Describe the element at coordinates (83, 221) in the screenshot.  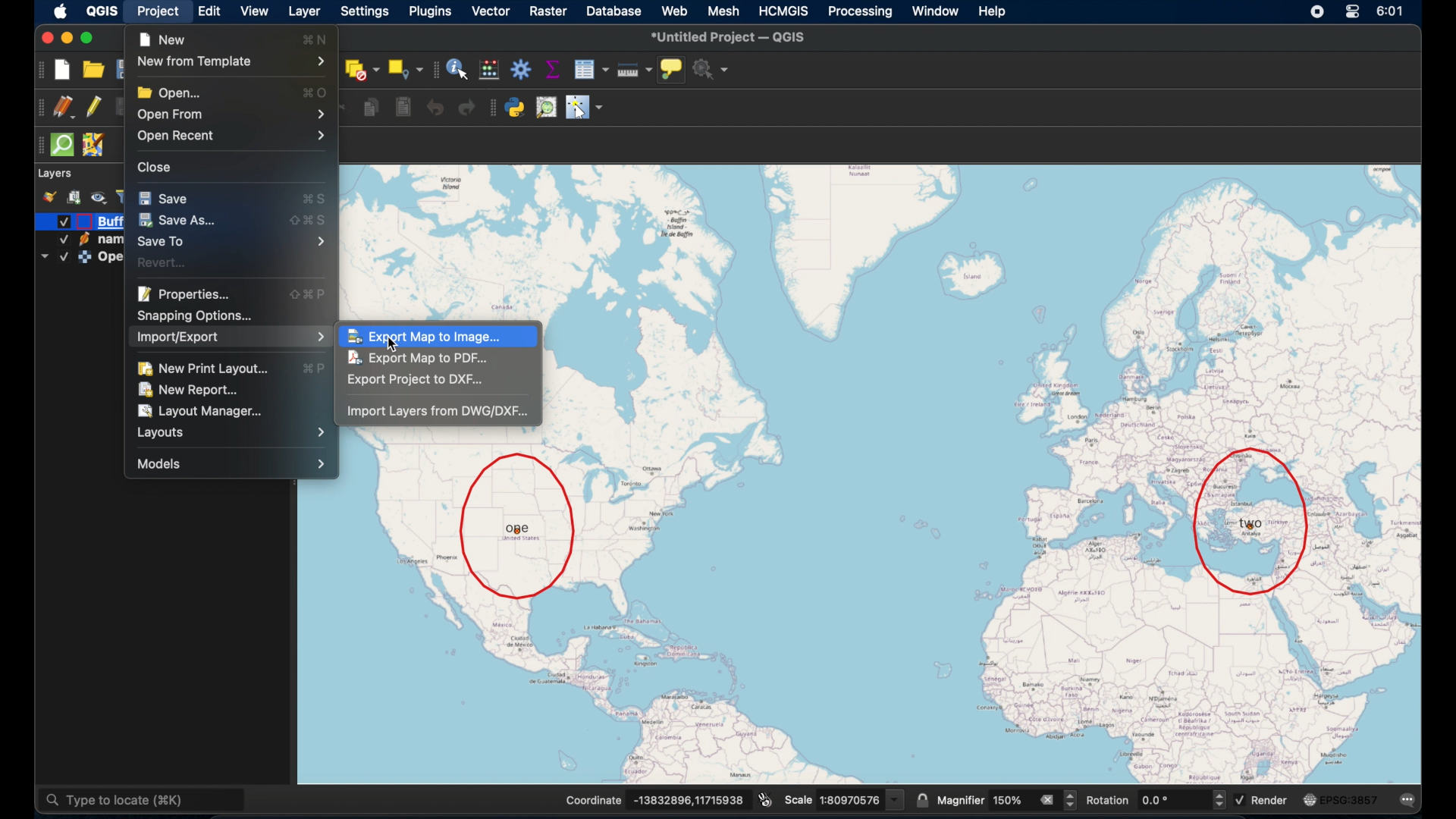
I see `icon` at that location.